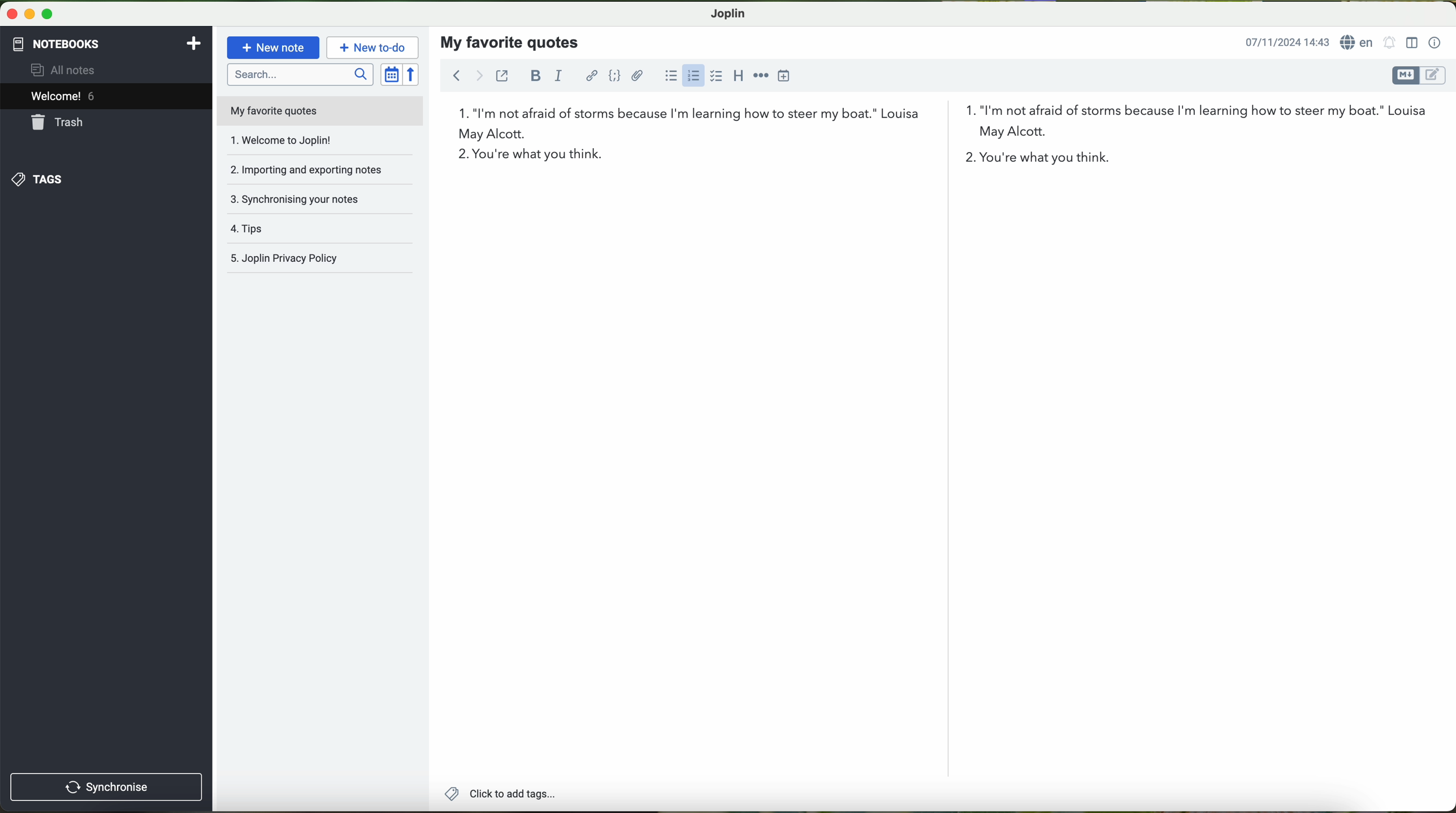 This screenshot has width=1456, height=813. What do you see at coordinates (29, 17) in the screenshot?
I see `minimize` at bounding box center [29, 17].